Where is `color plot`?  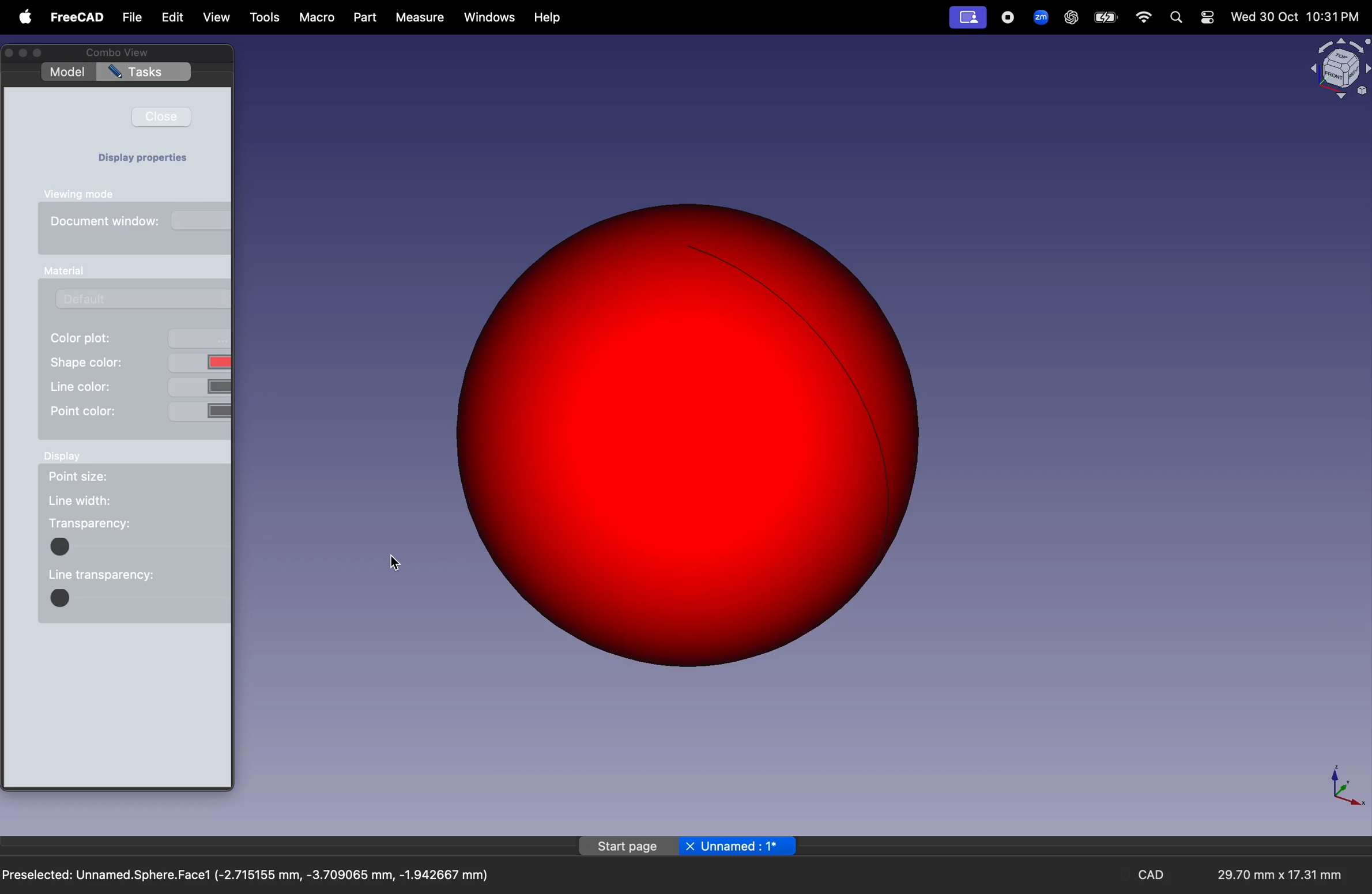 color plot is located at coordinates (136, 337).